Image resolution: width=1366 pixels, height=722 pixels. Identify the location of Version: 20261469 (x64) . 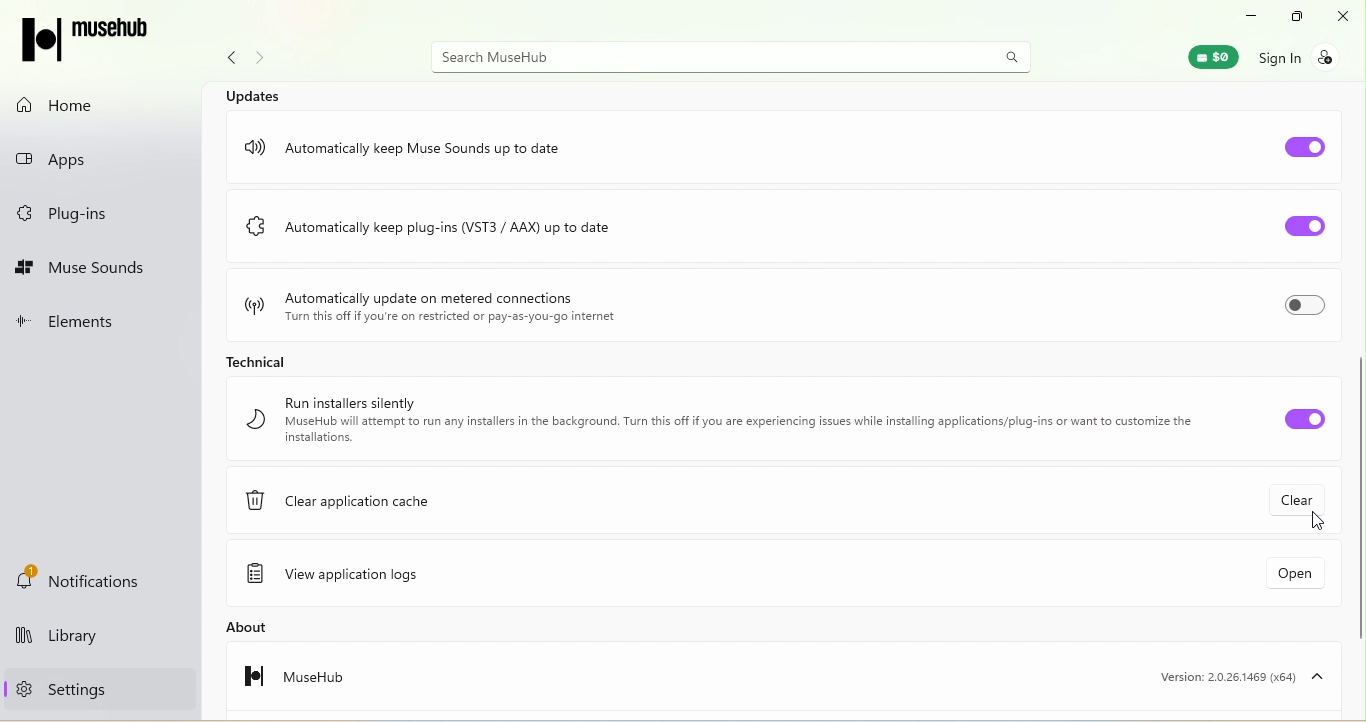
(1236, 676).